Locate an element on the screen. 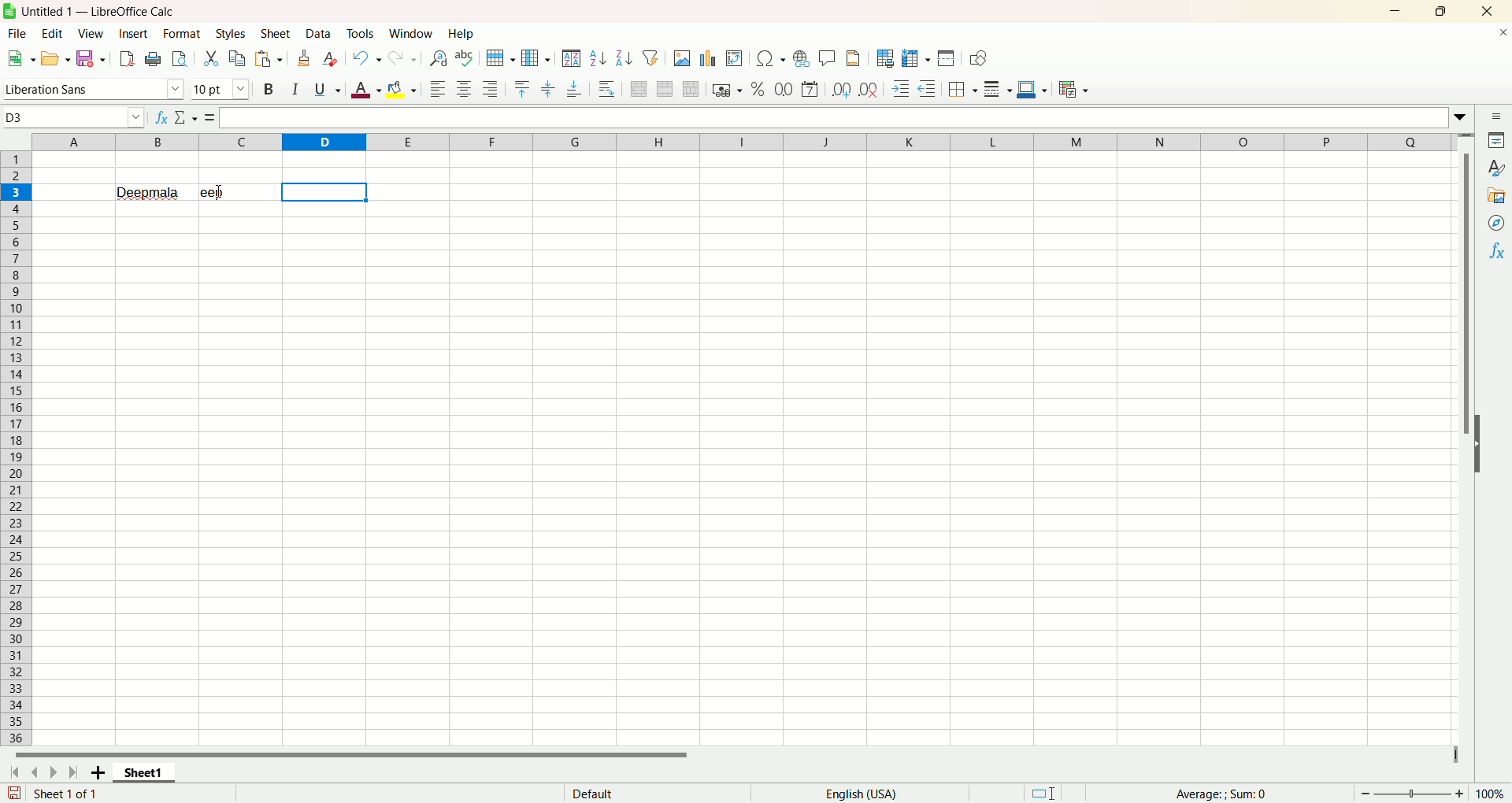 The height and width of the screenshot is (803, 1512). Insert image is located at coordinates (682, 58).